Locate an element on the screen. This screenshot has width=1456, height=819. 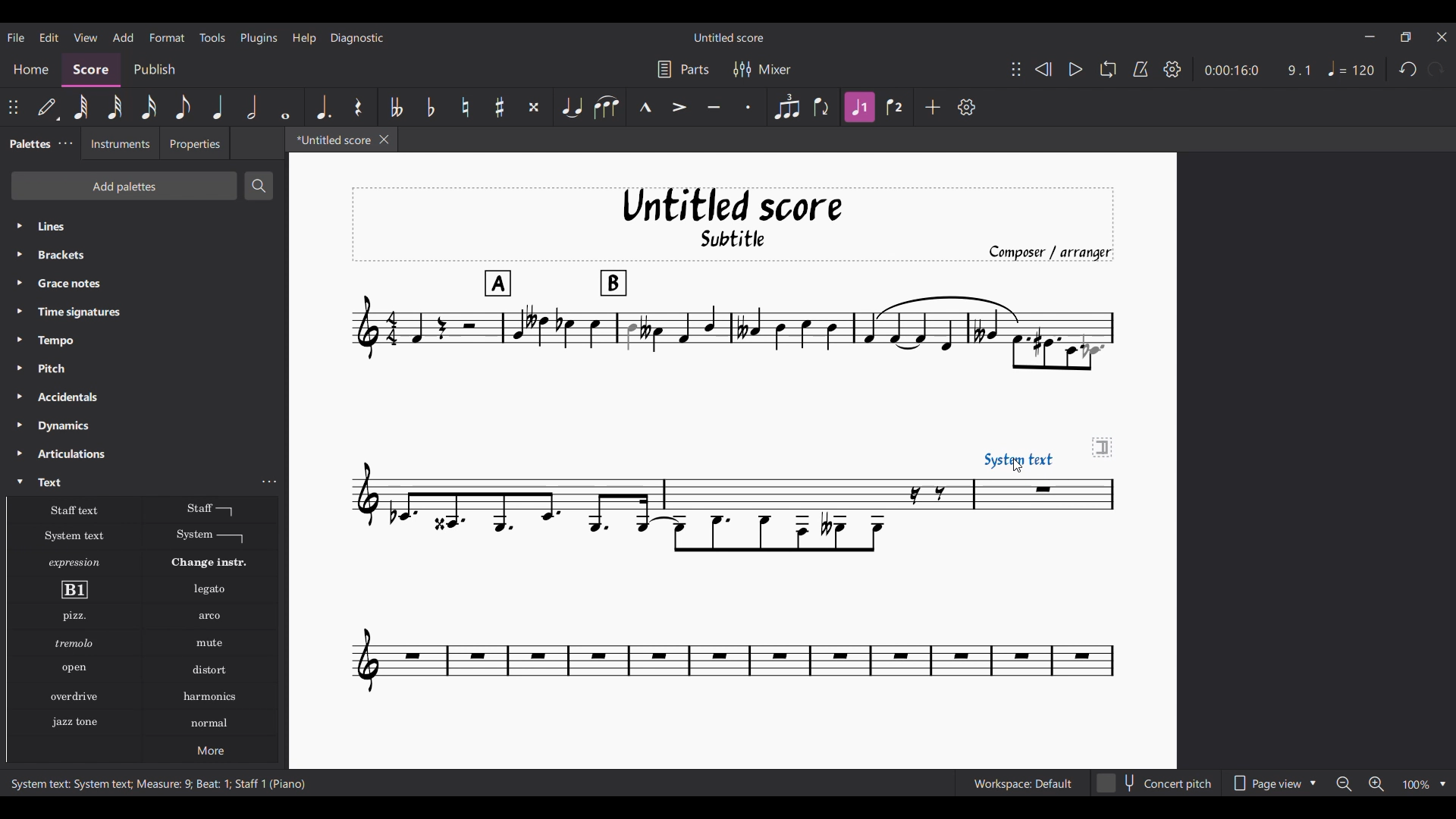
Voice 2 is located at coordinates (895, 107).